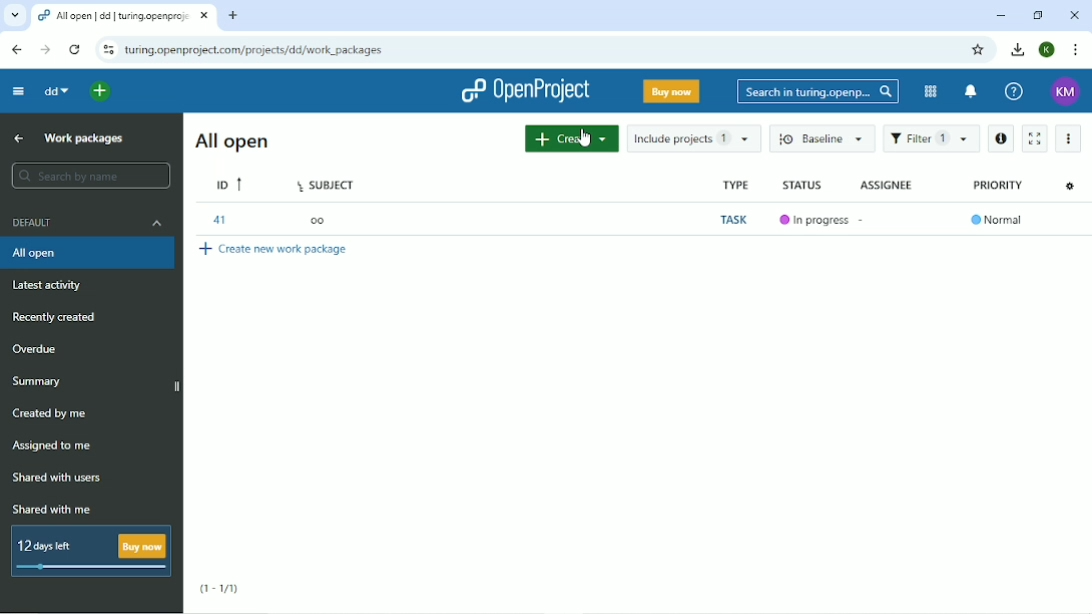 The height and width of the screenshot is (614, 1092). Describe the element at coordinates (523, 91) in the screenshot. I see `OpenProject` at that location.